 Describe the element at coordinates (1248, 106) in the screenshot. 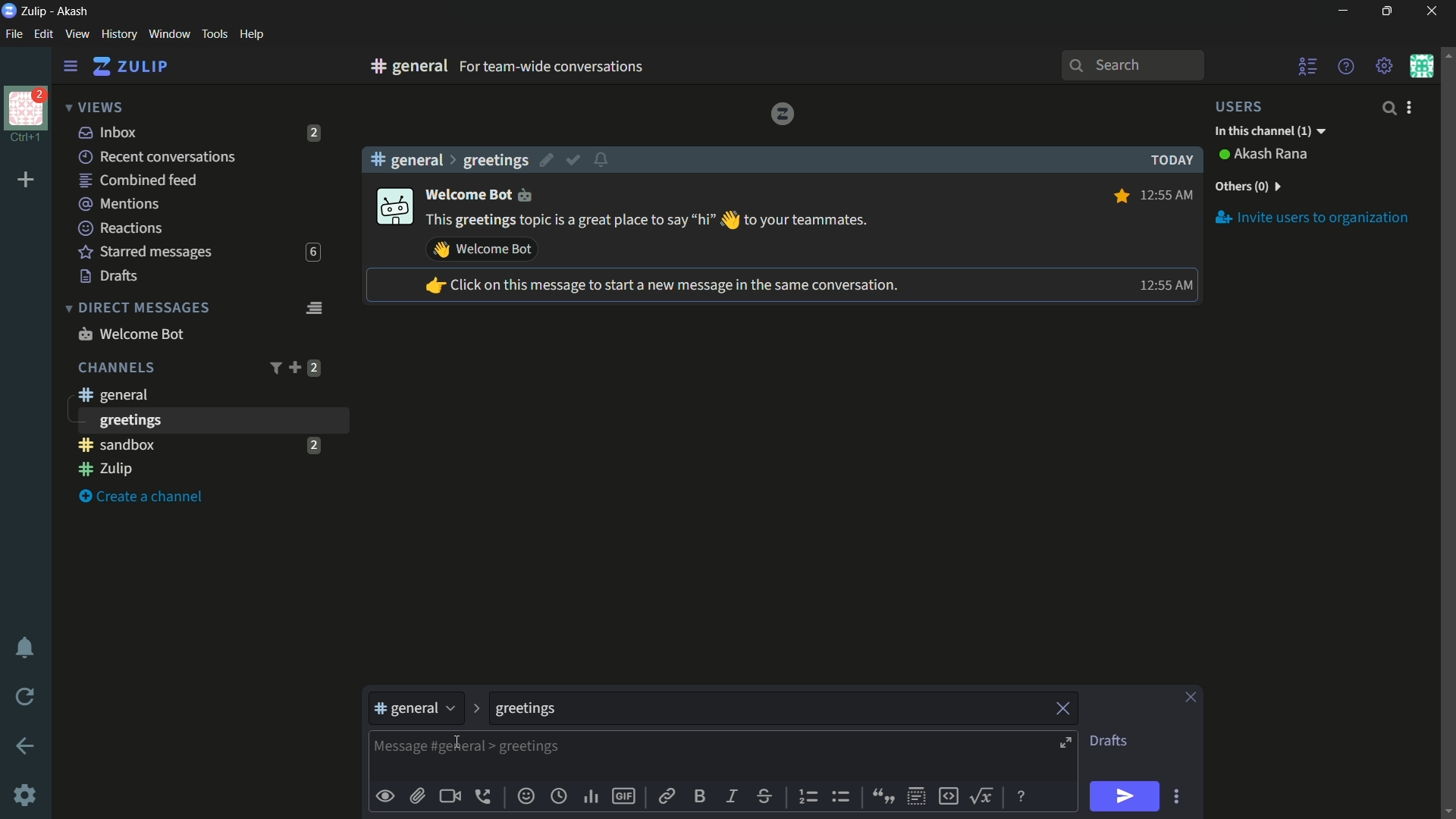

I see `users` at that location.